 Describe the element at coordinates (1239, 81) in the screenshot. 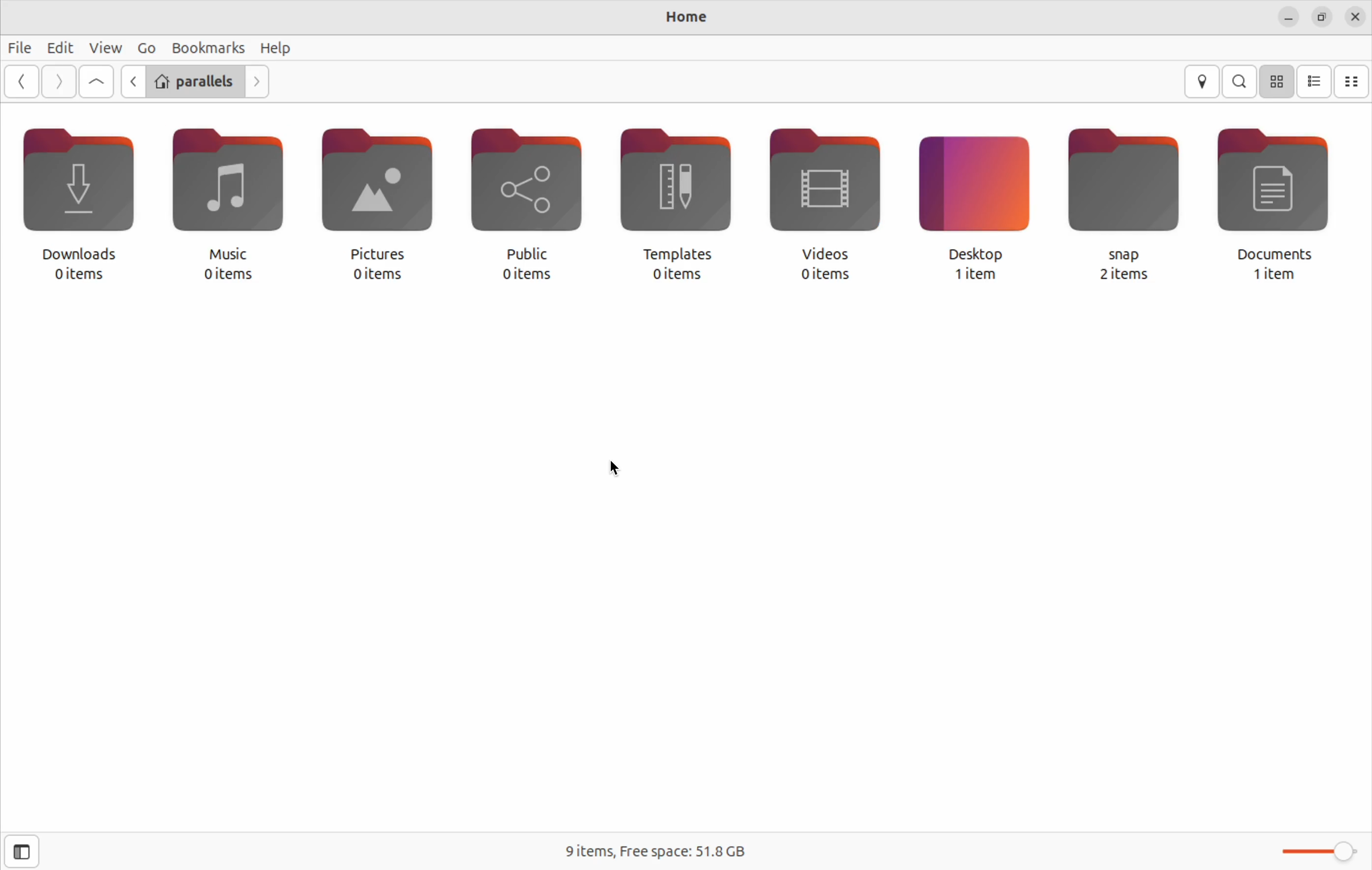

I see `search` at that location.